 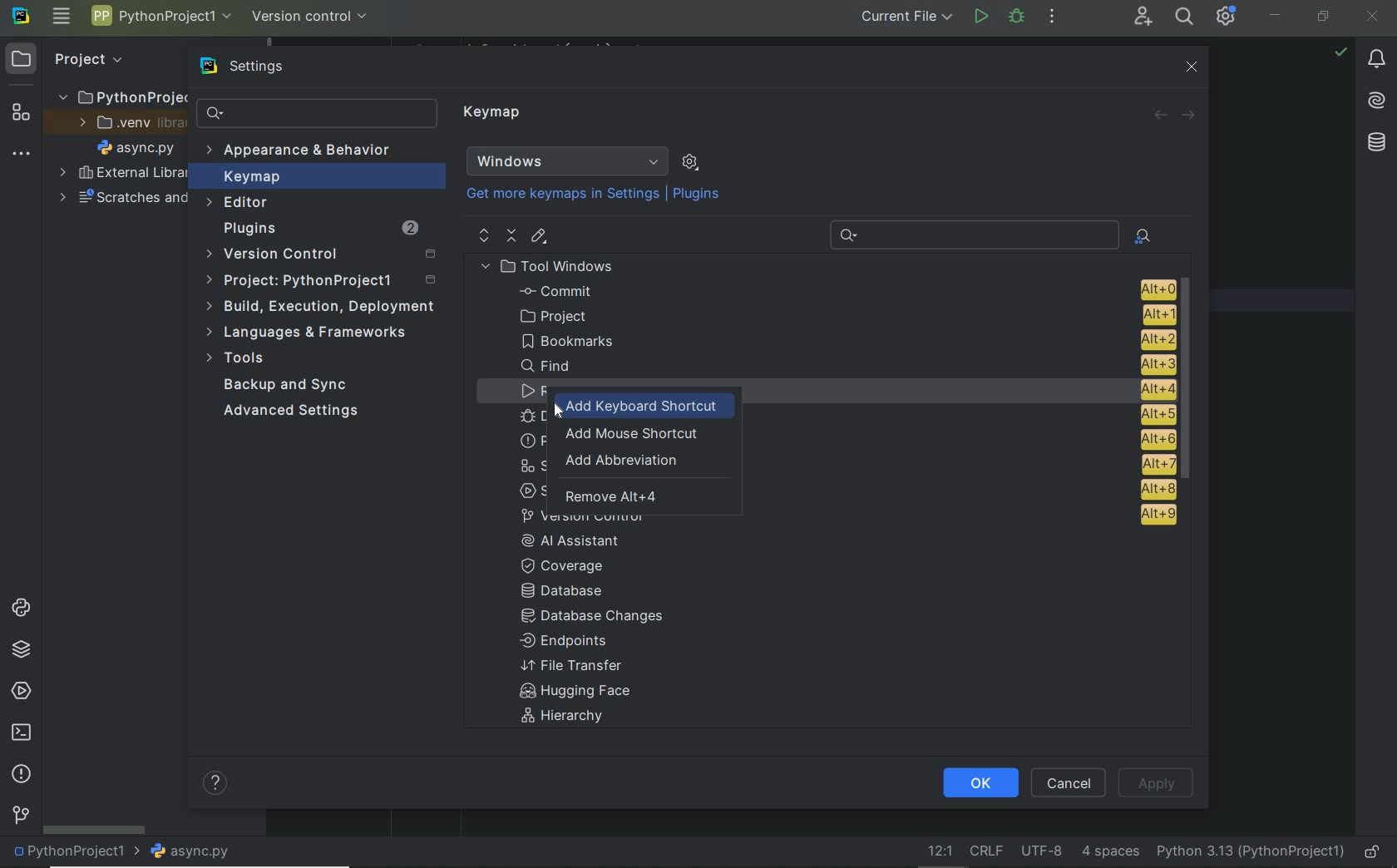 What do you see at coordinates (18, 111) in the screenshot?
I see `structure` at bounding box center [18, 111].